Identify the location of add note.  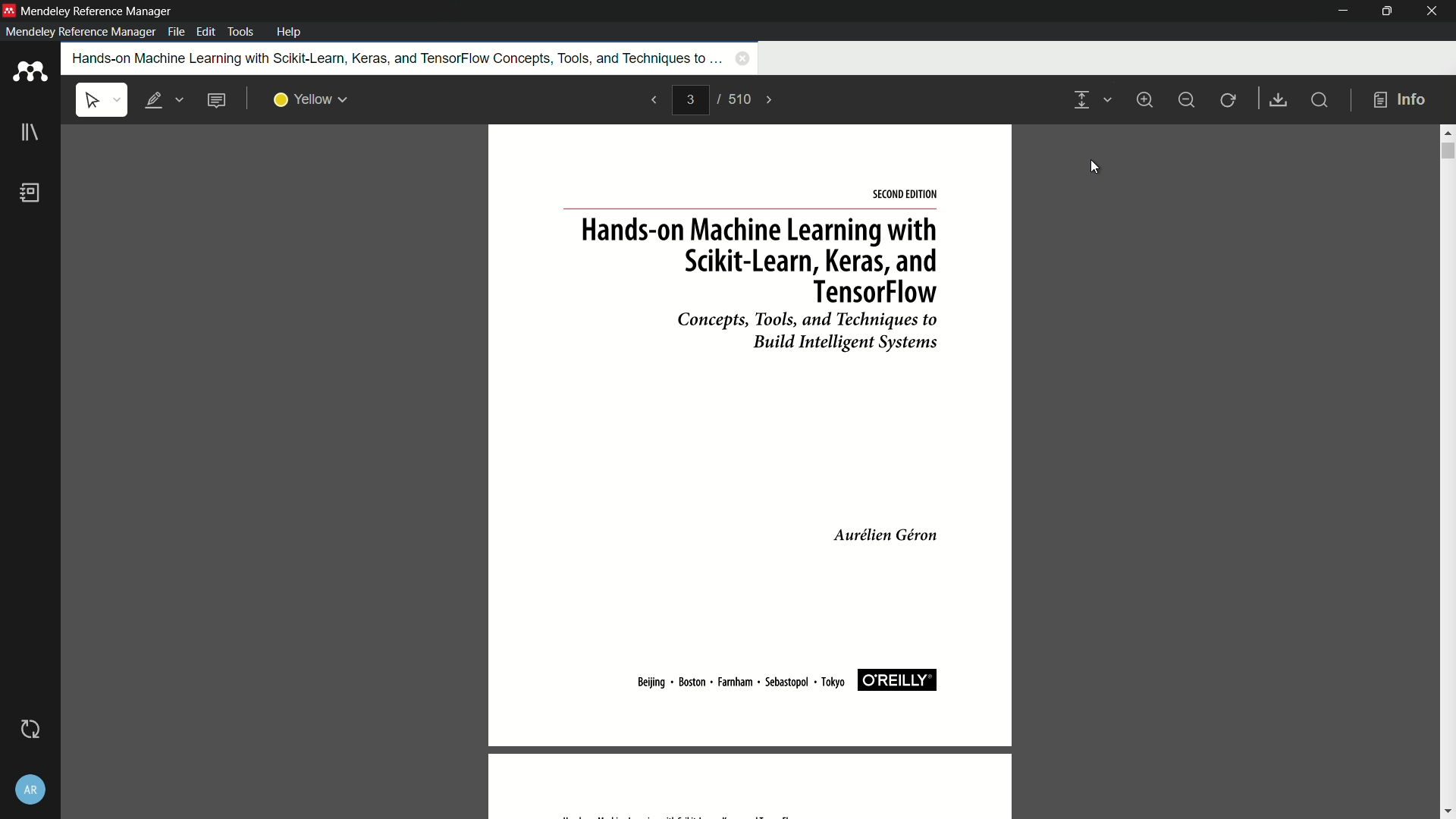
(216, 100).